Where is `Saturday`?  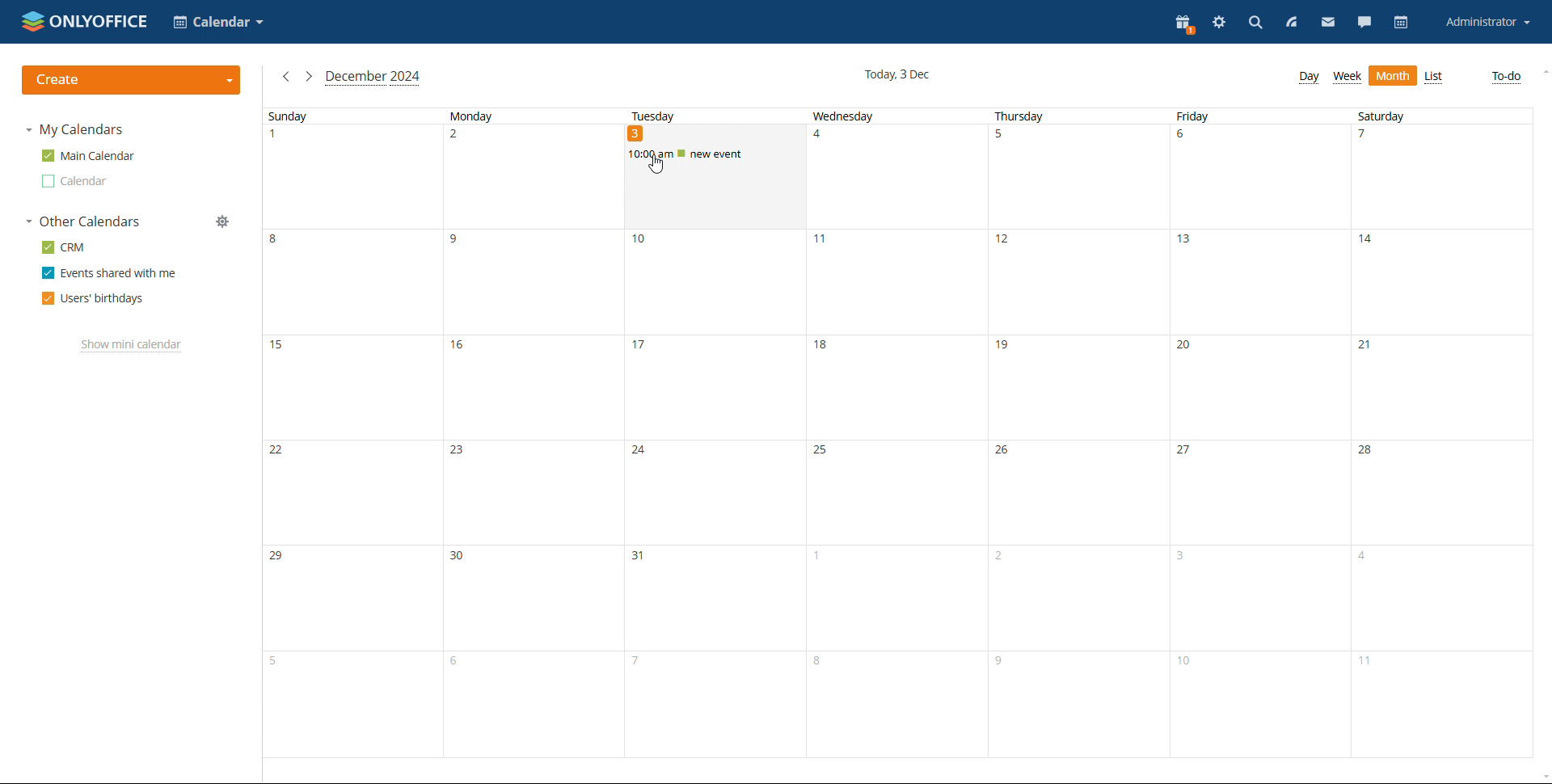 Saturday is located at coordinates (1444, 116).